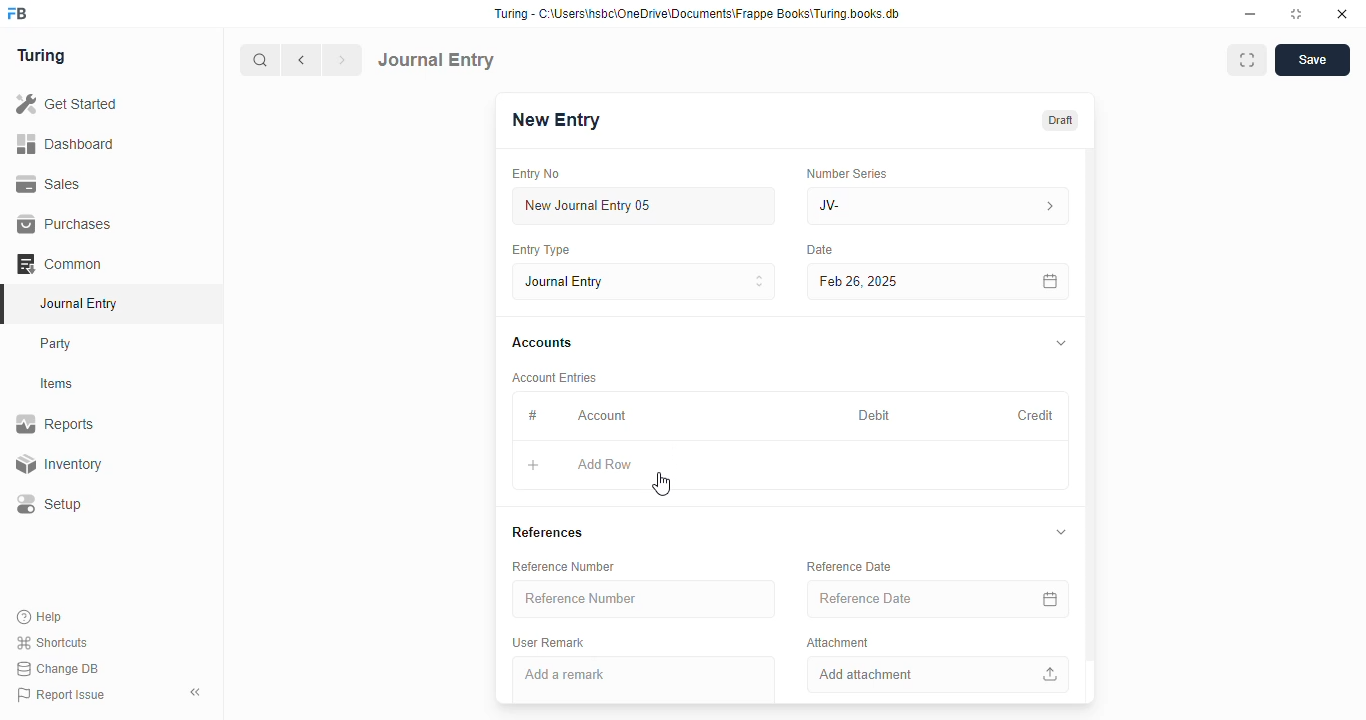 The image size is (1366, 720). What do you see at coordinates (605, 465) in the screenshot?
I see `add row` at bounding box center [605, 465].